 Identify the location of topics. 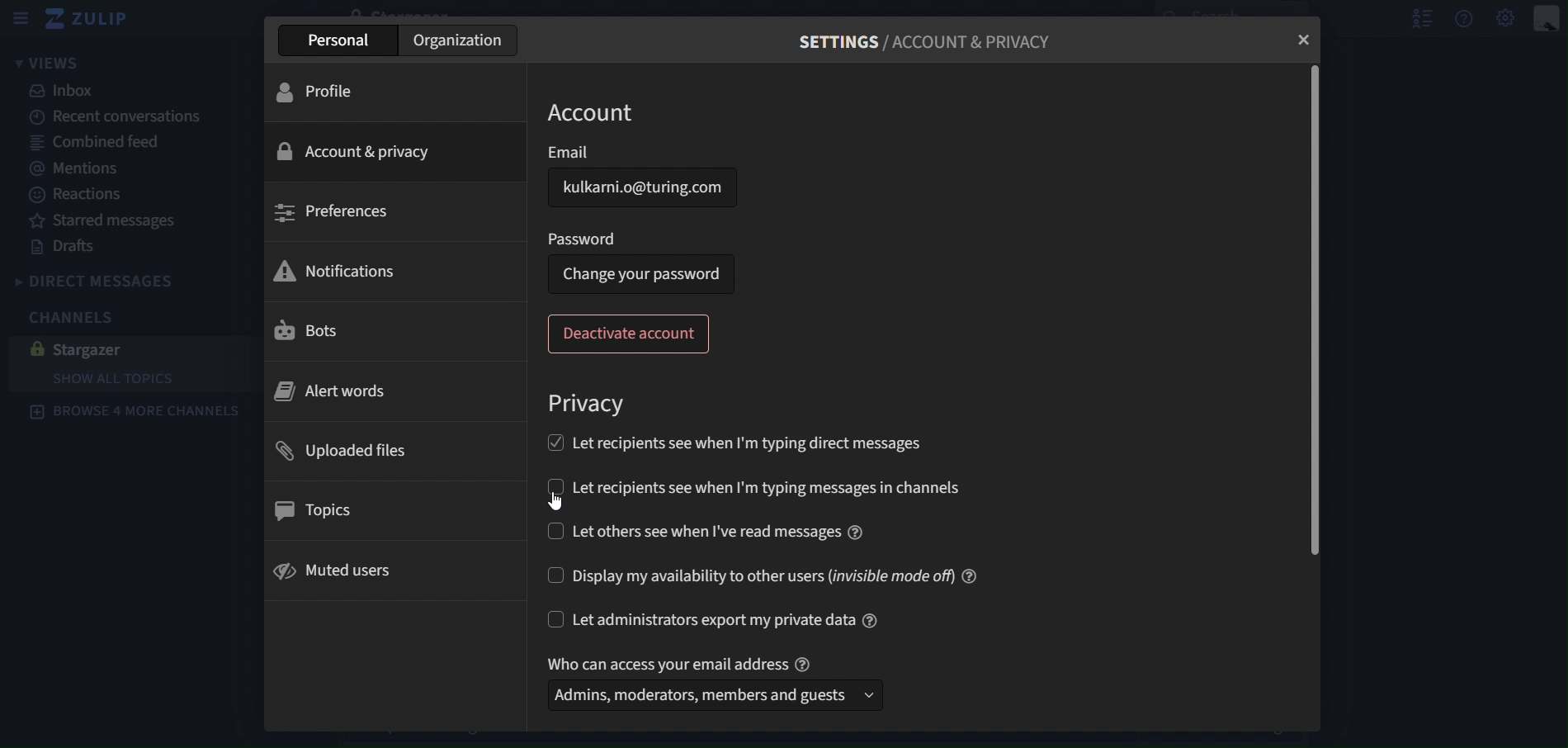
(319, 511).